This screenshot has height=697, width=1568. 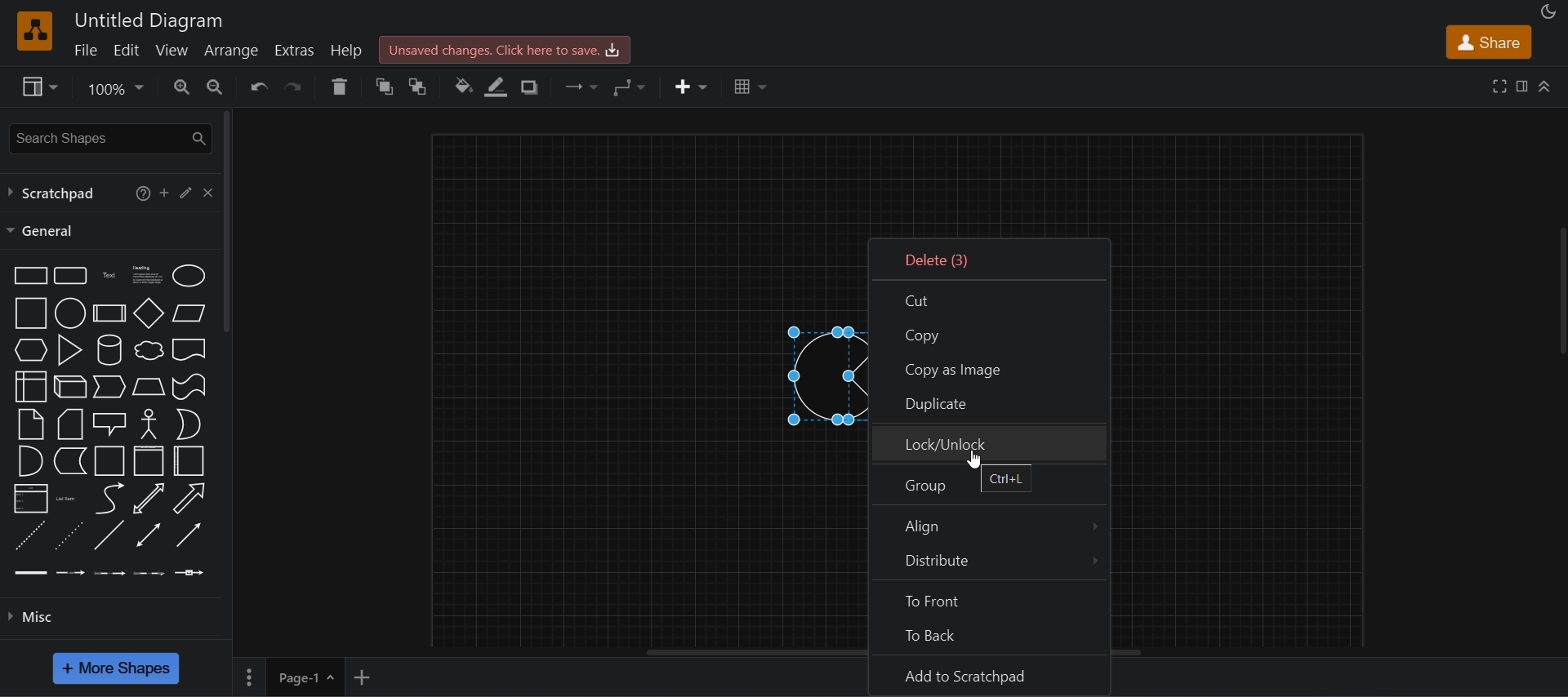 I want to click on zoom out, so click(x=213, y=85).